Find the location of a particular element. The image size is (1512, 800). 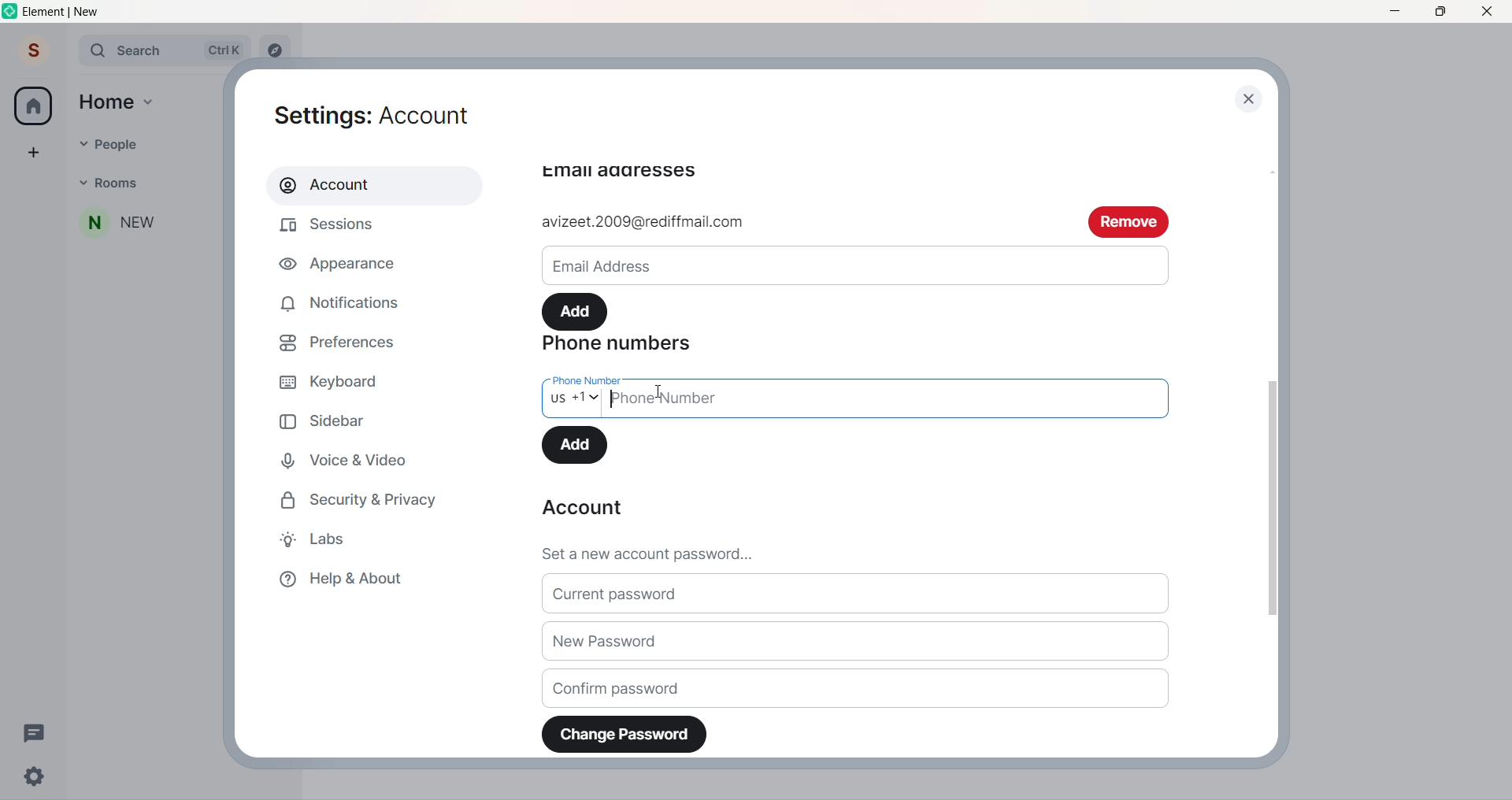

Set a new password is located at coordinates (862, 551).